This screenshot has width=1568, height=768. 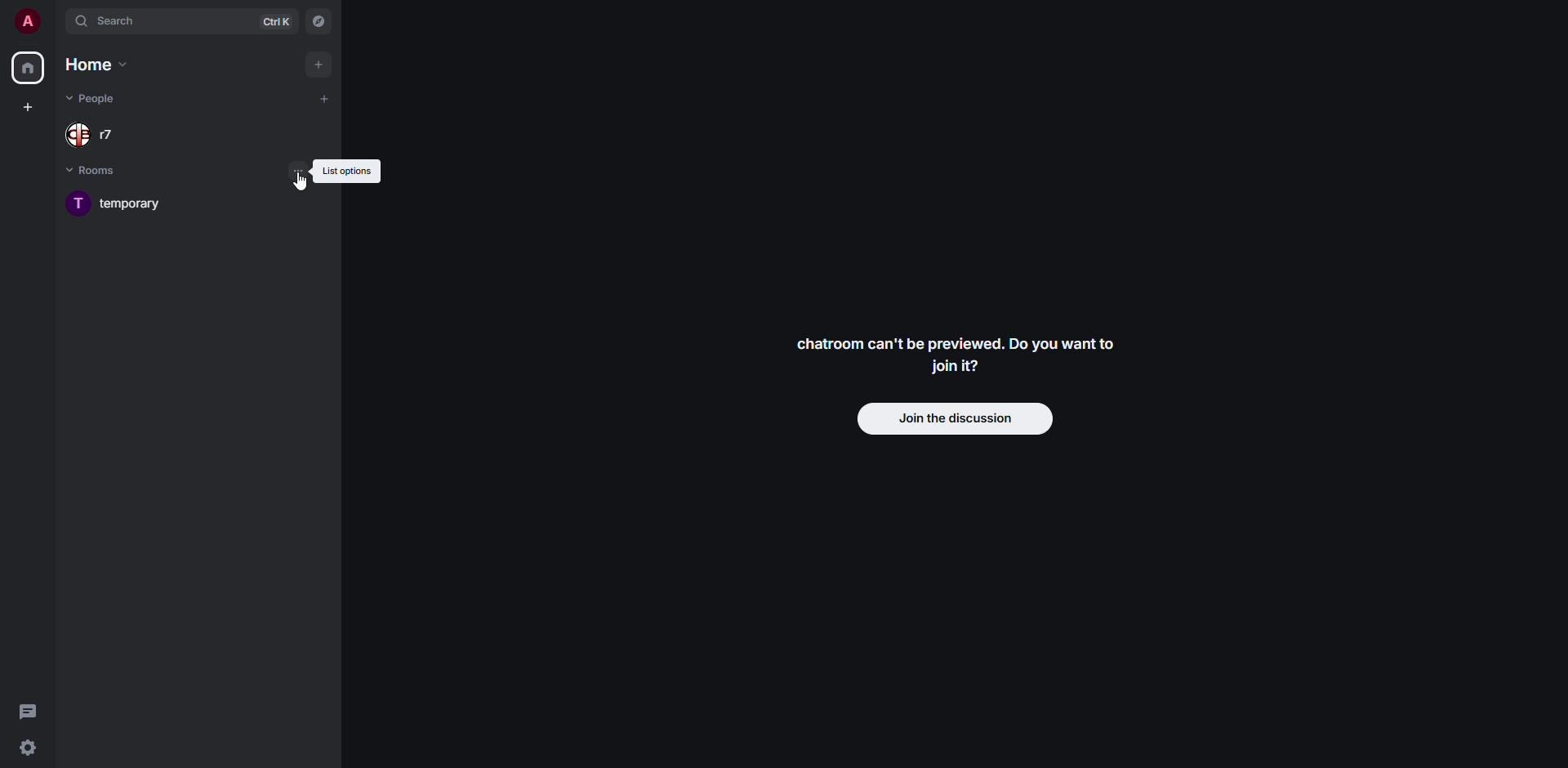 I want to click on threads, so click(x=29, y=710).